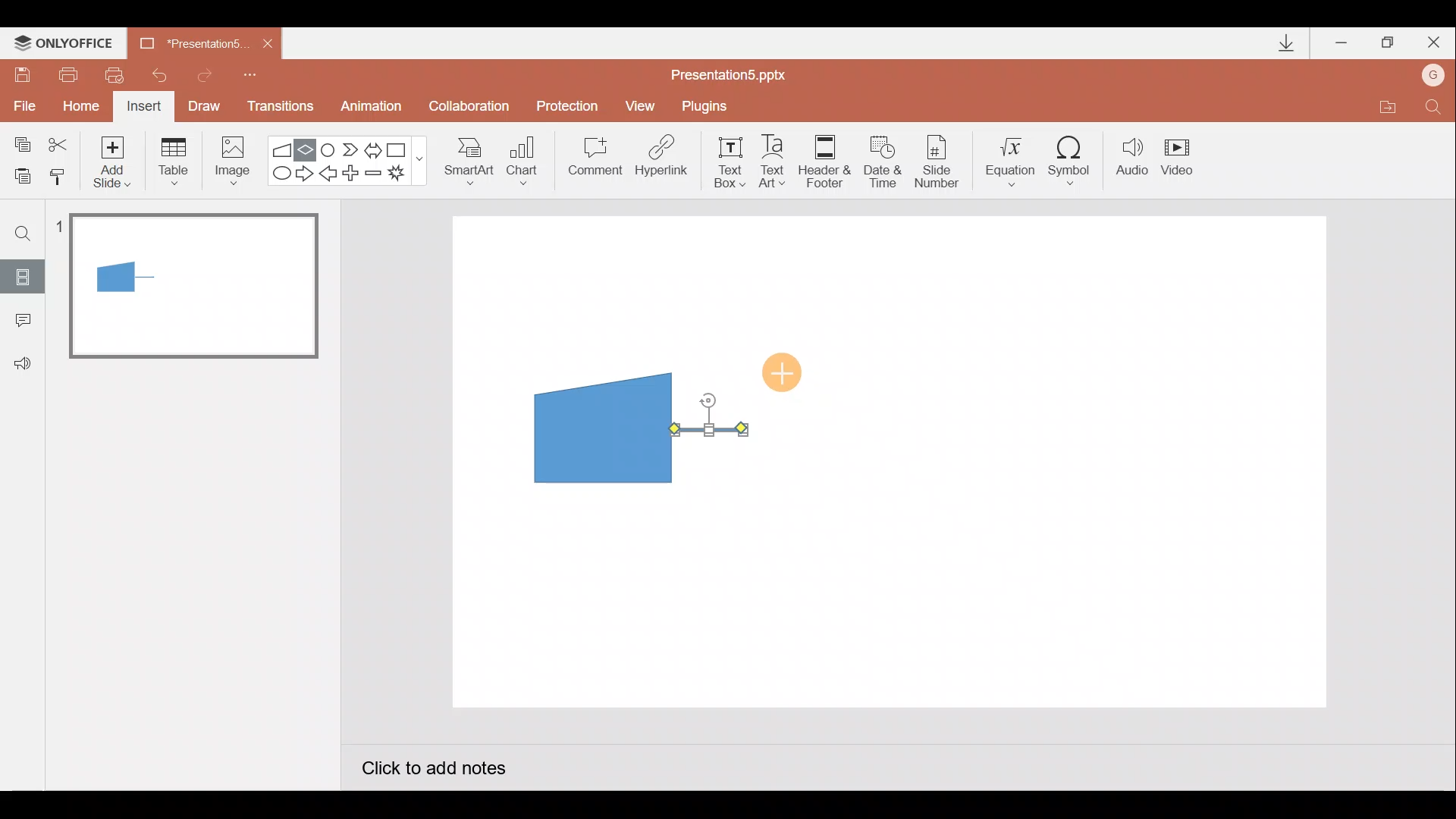 The height and width of the screenshot is (819, 1456). Describe the element at coordinates (1343, 44) in the screenshot. I see `Minimize` at that location.